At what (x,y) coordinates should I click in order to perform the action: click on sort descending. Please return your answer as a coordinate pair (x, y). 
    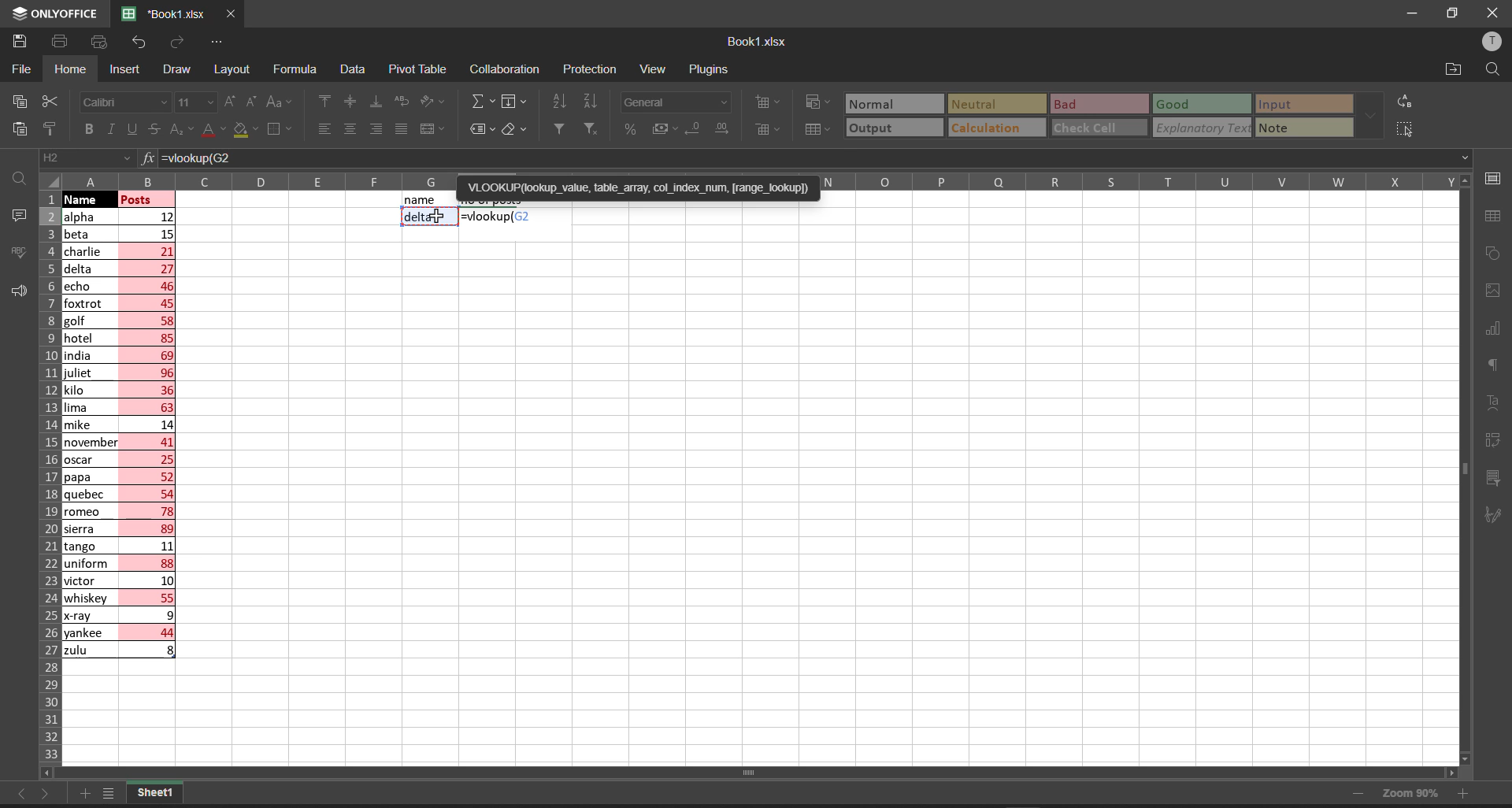
    Looking at the image, I should click on (594, 102).